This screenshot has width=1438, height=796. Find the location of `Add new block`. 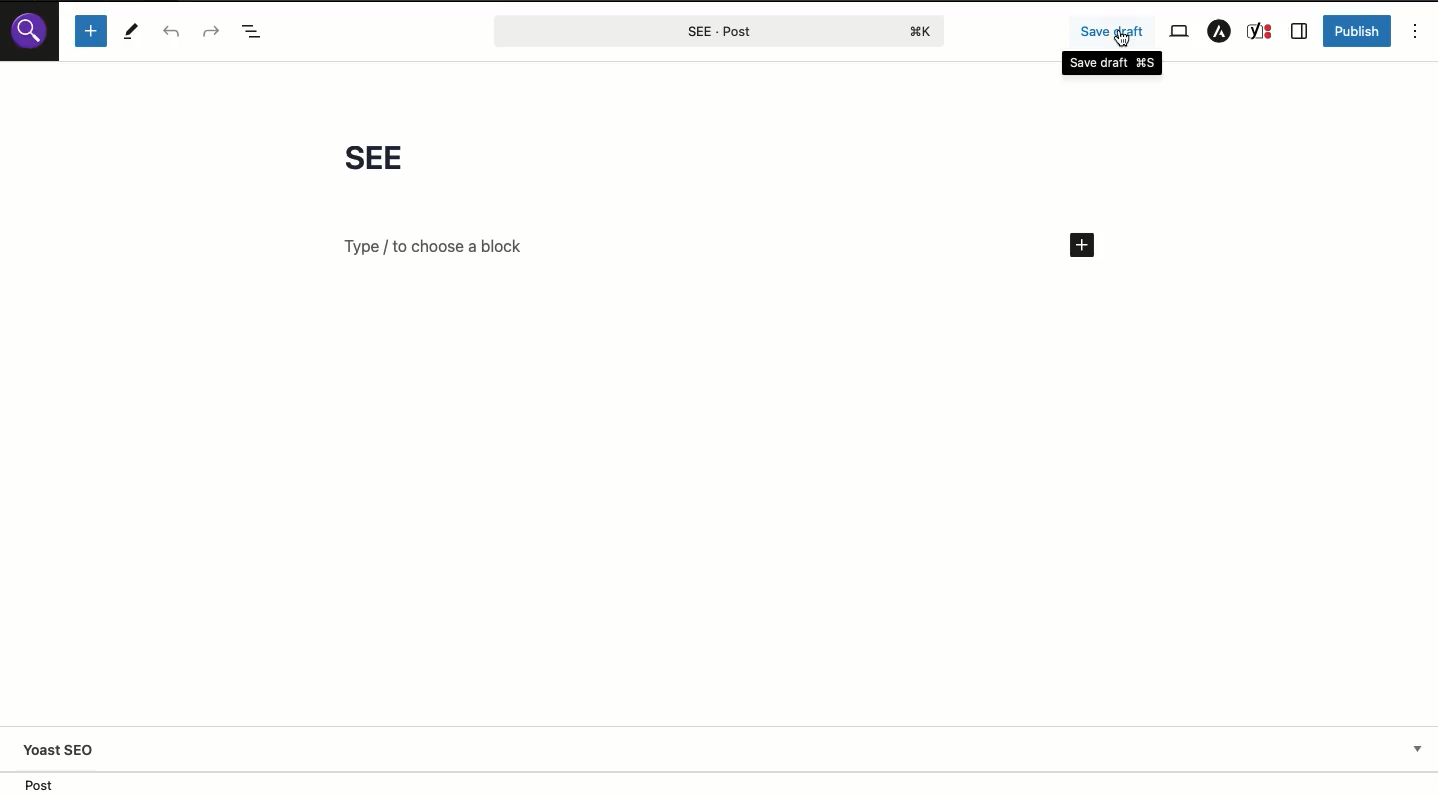

Add new block is located at coordinates (92, 32).